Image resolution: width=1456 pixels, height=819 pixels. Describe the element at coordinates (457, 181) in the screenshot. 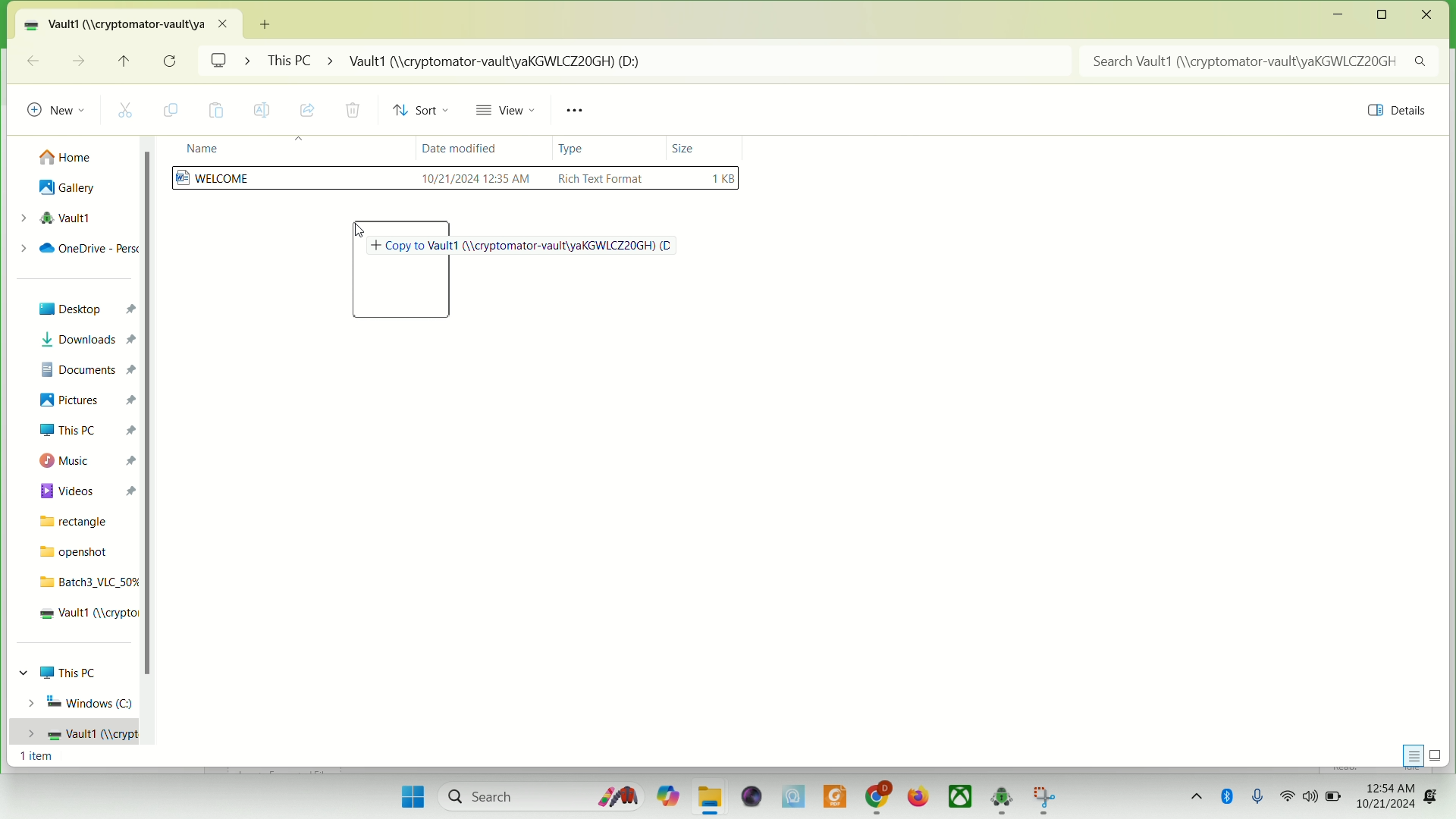

I see `WELCOME file` at that location.